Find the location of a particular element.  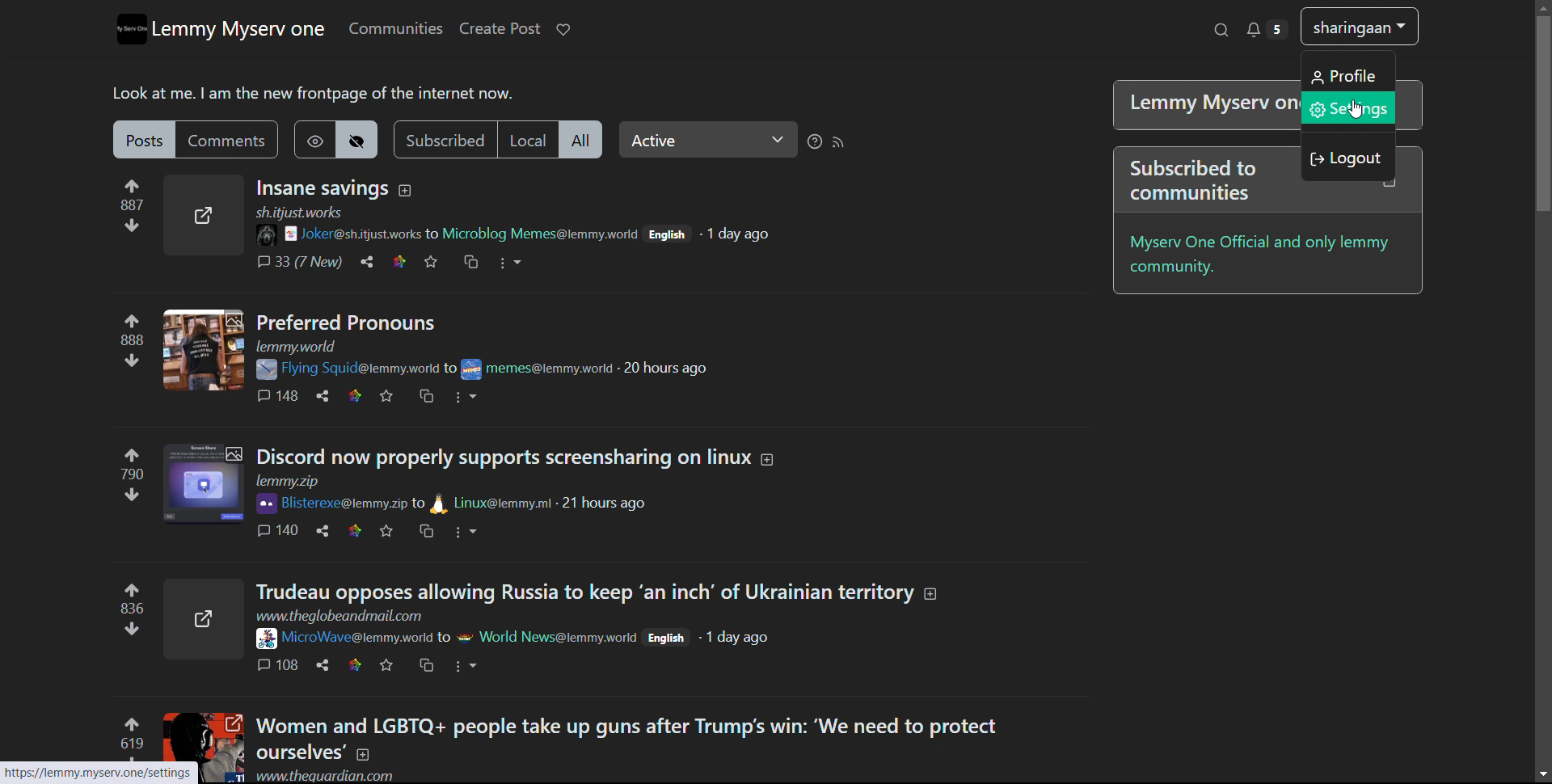

profile is located at coordinates (1348, 74).